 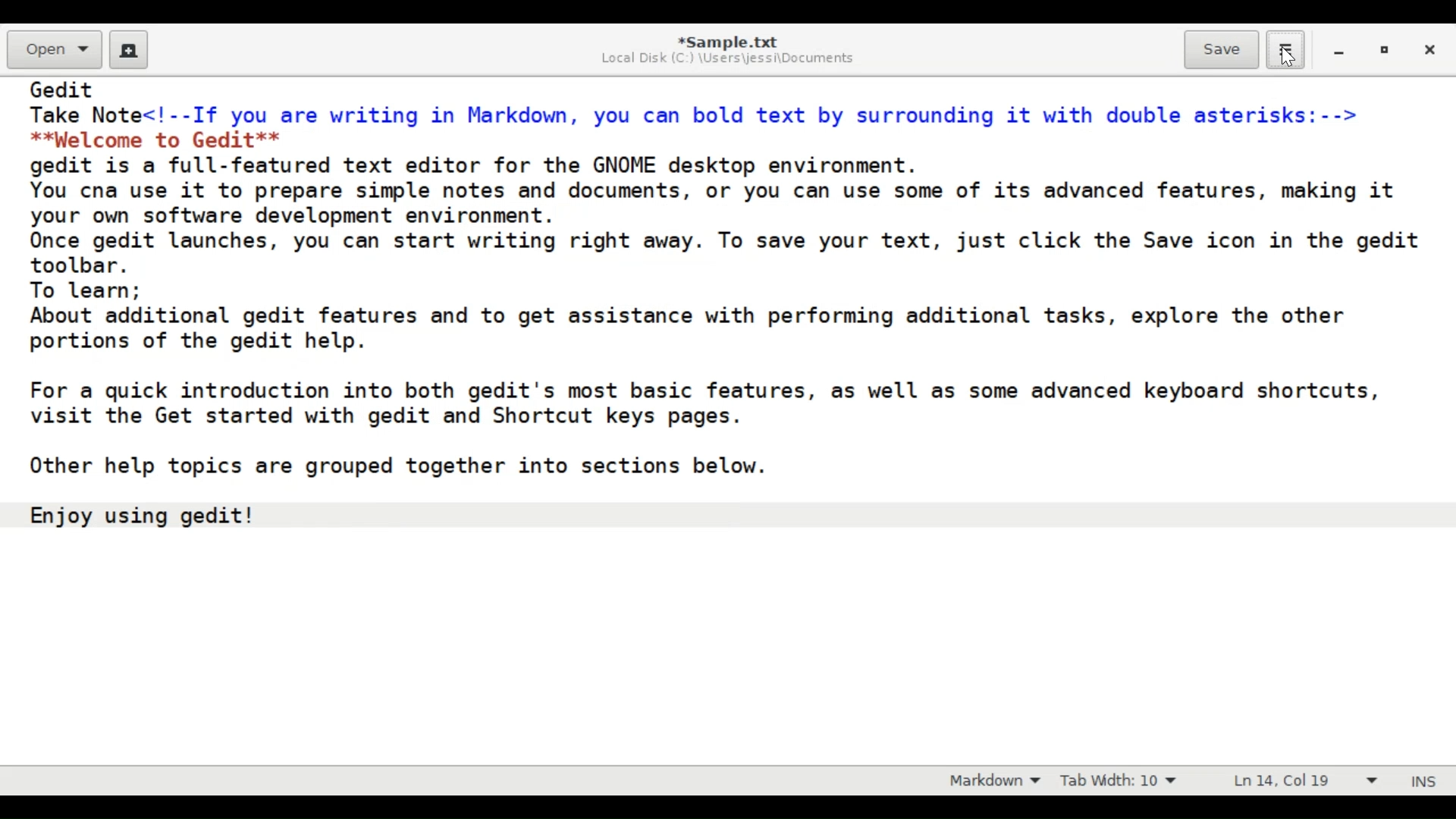 What do you see at coordinates (989, 780) in the screenshot?
I see `Highlight Mode: Markdown` at bounding box center [989, 780].